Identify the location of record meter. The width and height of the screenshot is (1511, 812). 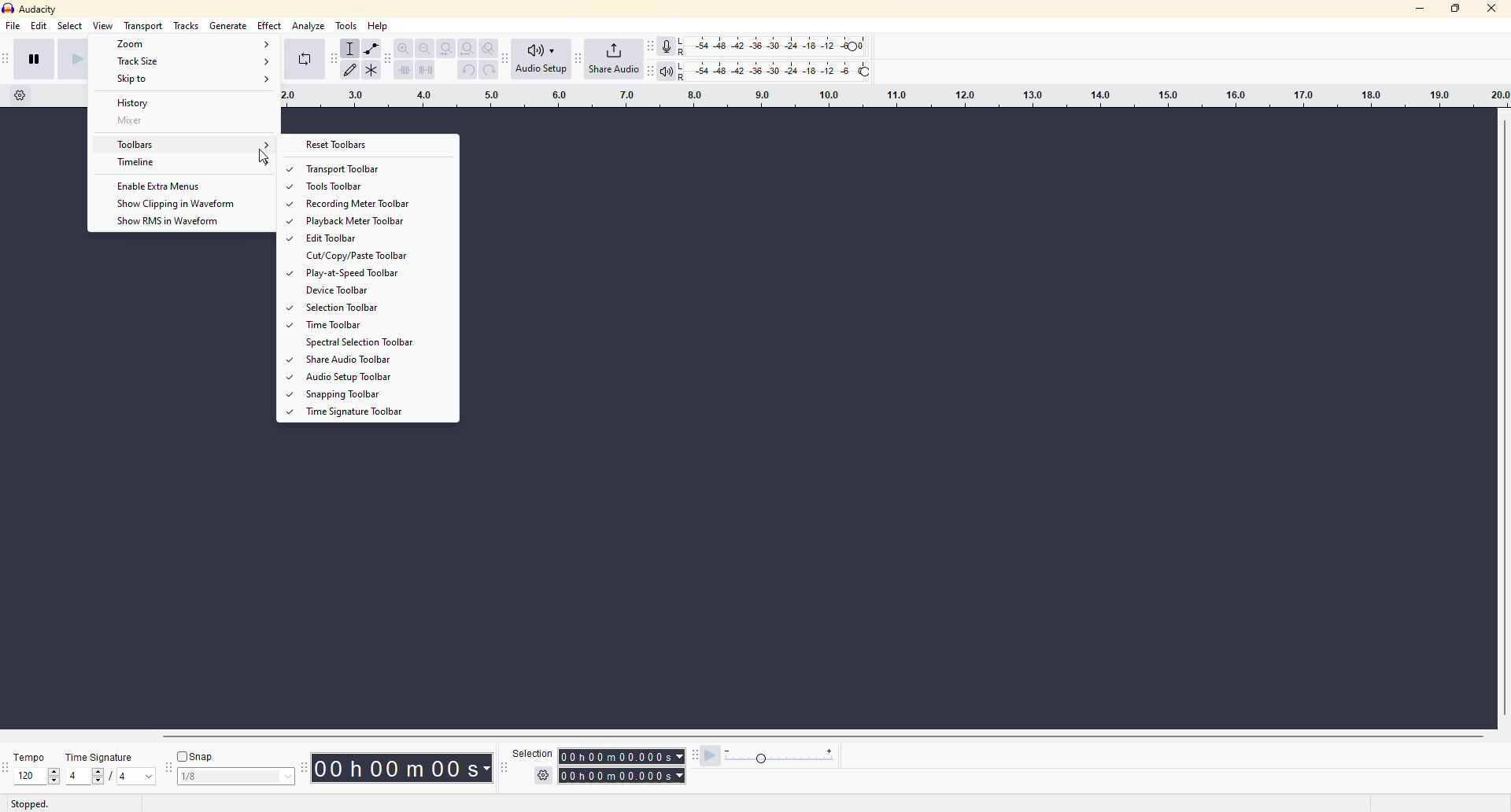
(669, 46).